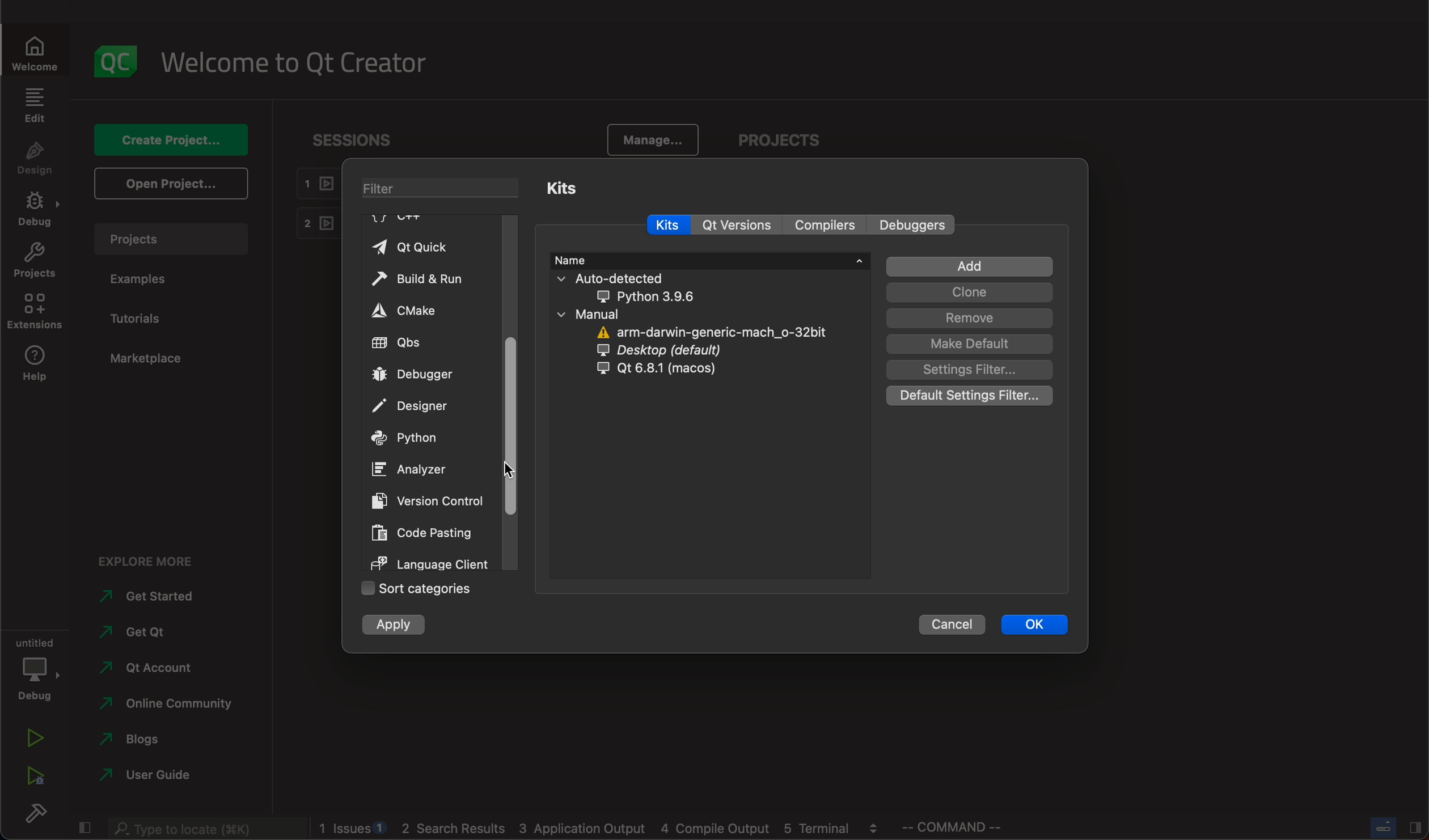 The width and height of the screenshot is (1429, 840). I want to click on debug, so click(38, 669).